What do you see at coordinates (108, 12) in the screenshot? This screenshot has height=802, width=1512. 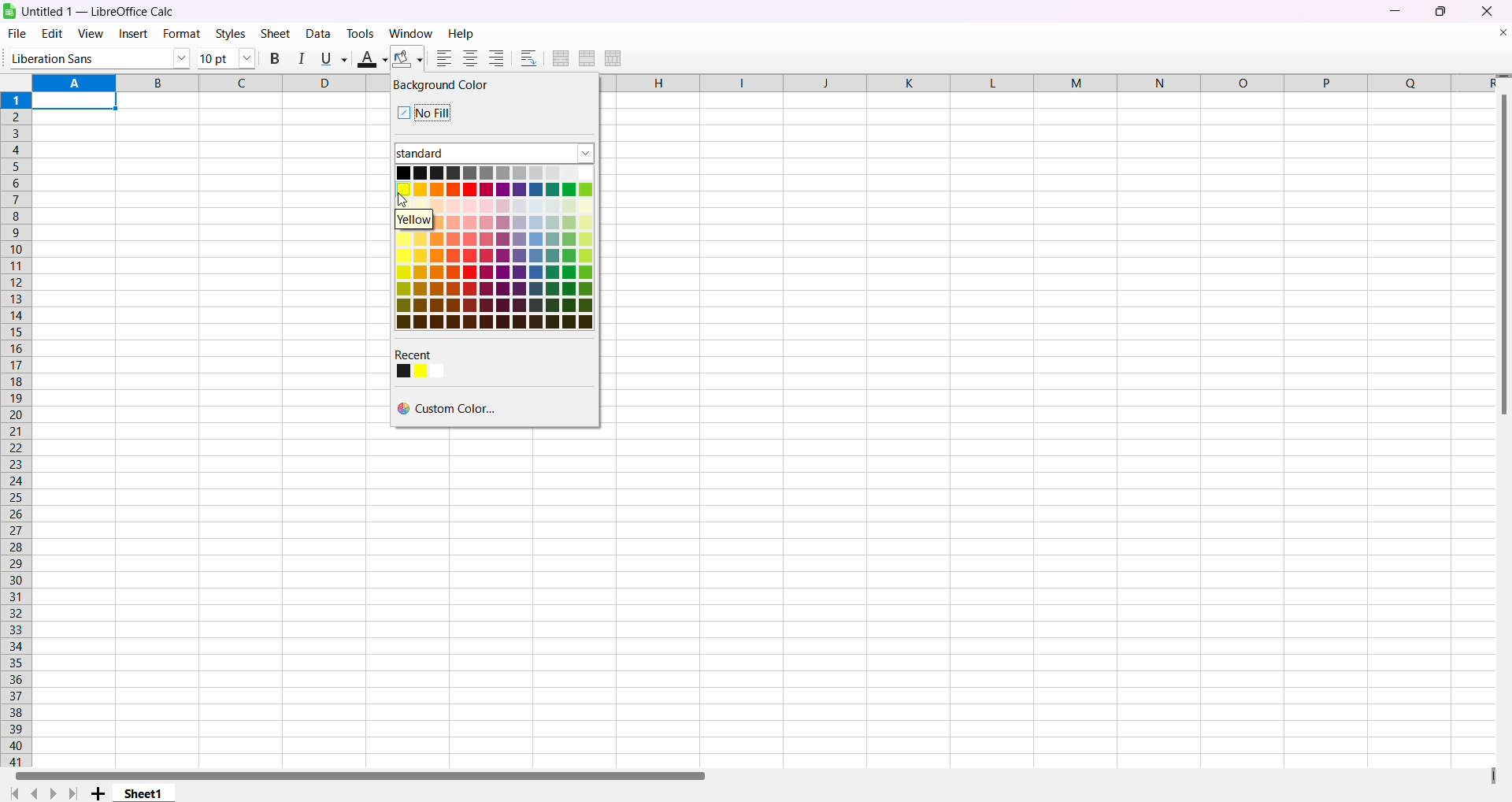 I see `Untitled 1 - LibreOffice Calc` at bounding box center [108, 12].